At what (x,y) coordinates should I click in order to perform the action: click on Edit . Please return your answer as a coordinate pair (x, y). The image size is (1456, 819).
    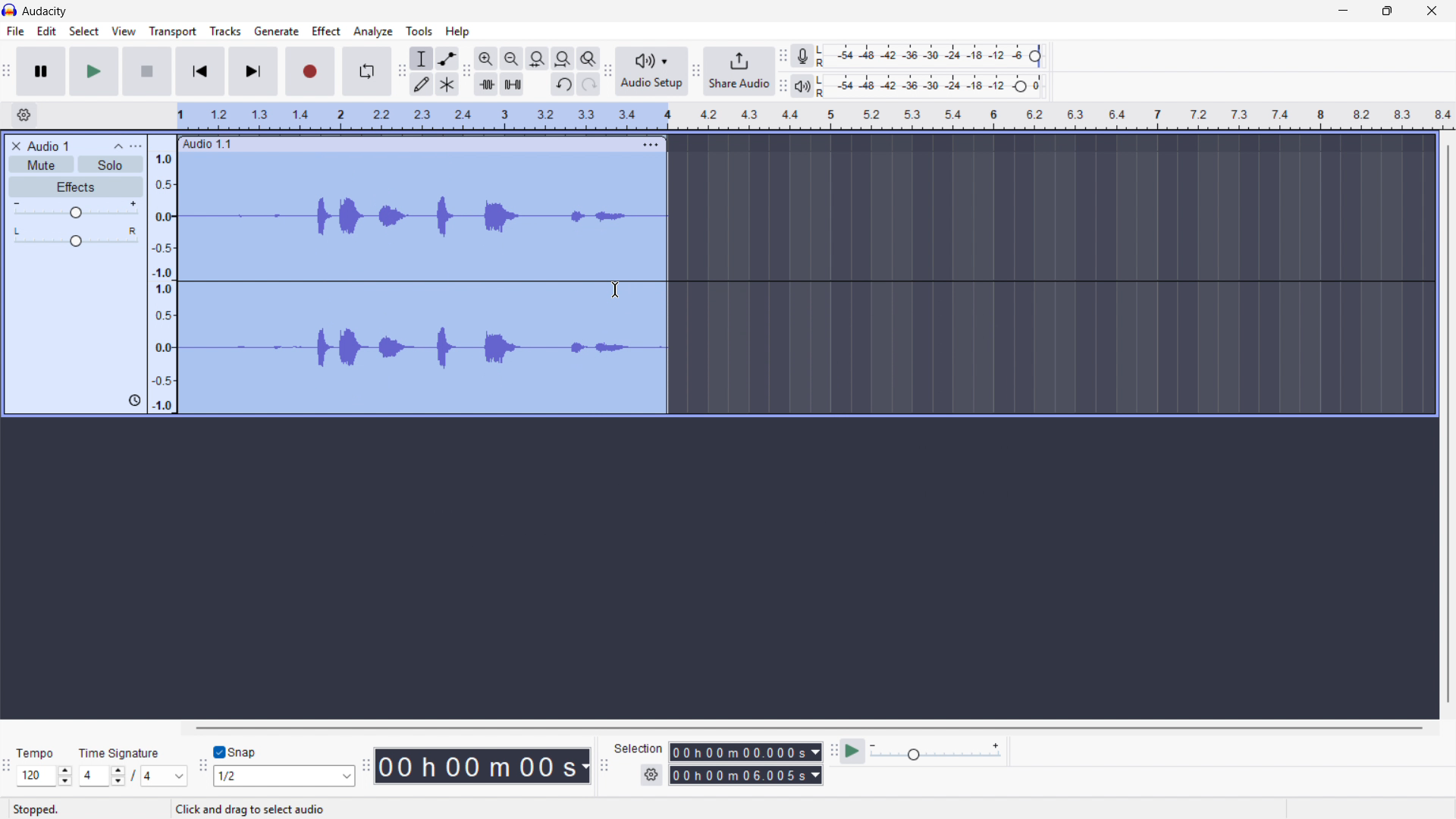
    Looking at the image, I should click on (47, 31).